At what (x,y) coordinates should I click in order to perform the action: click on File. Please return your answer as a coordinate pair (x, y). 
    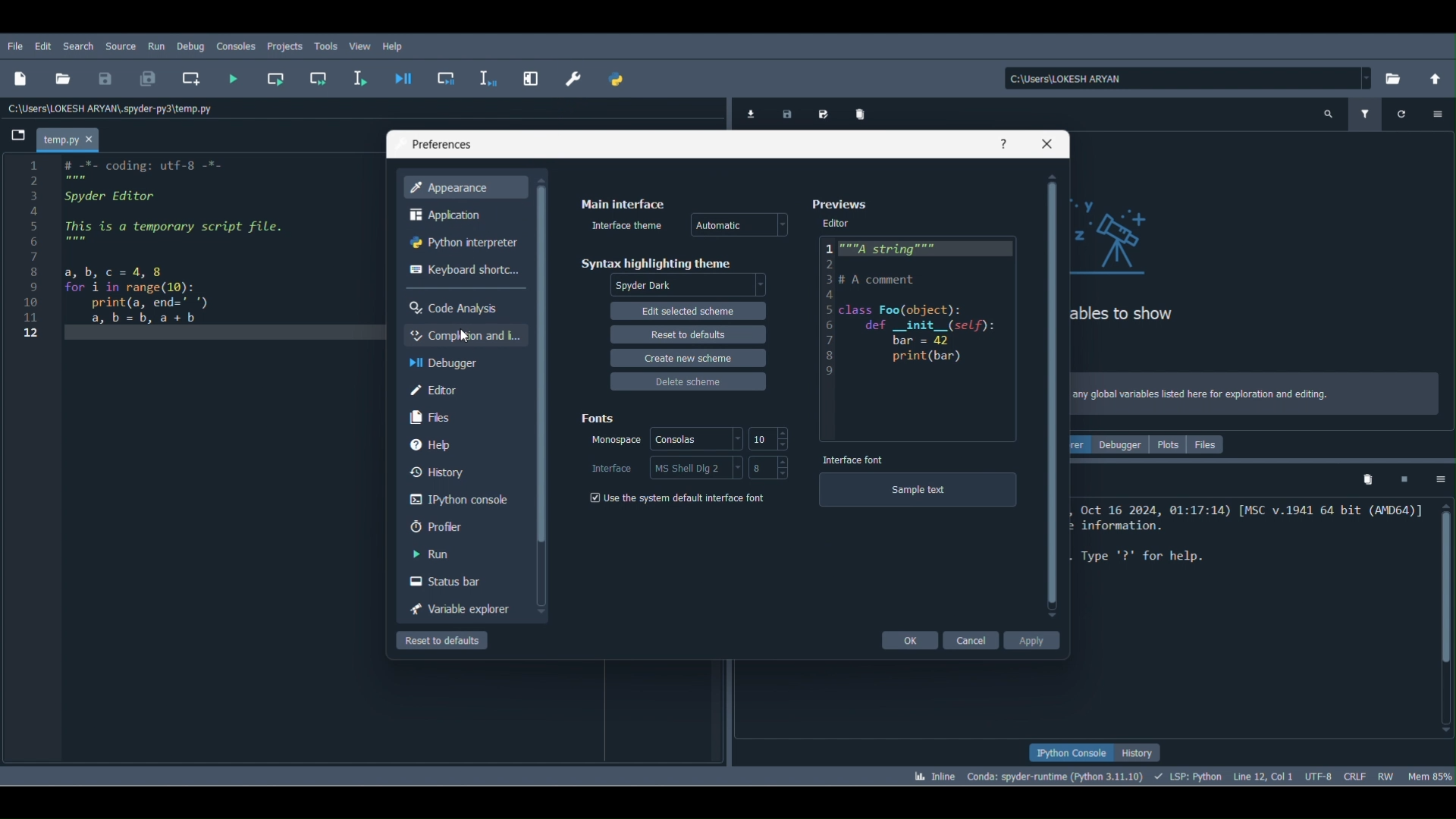
    Looking at the image, I should click on (17, 47).